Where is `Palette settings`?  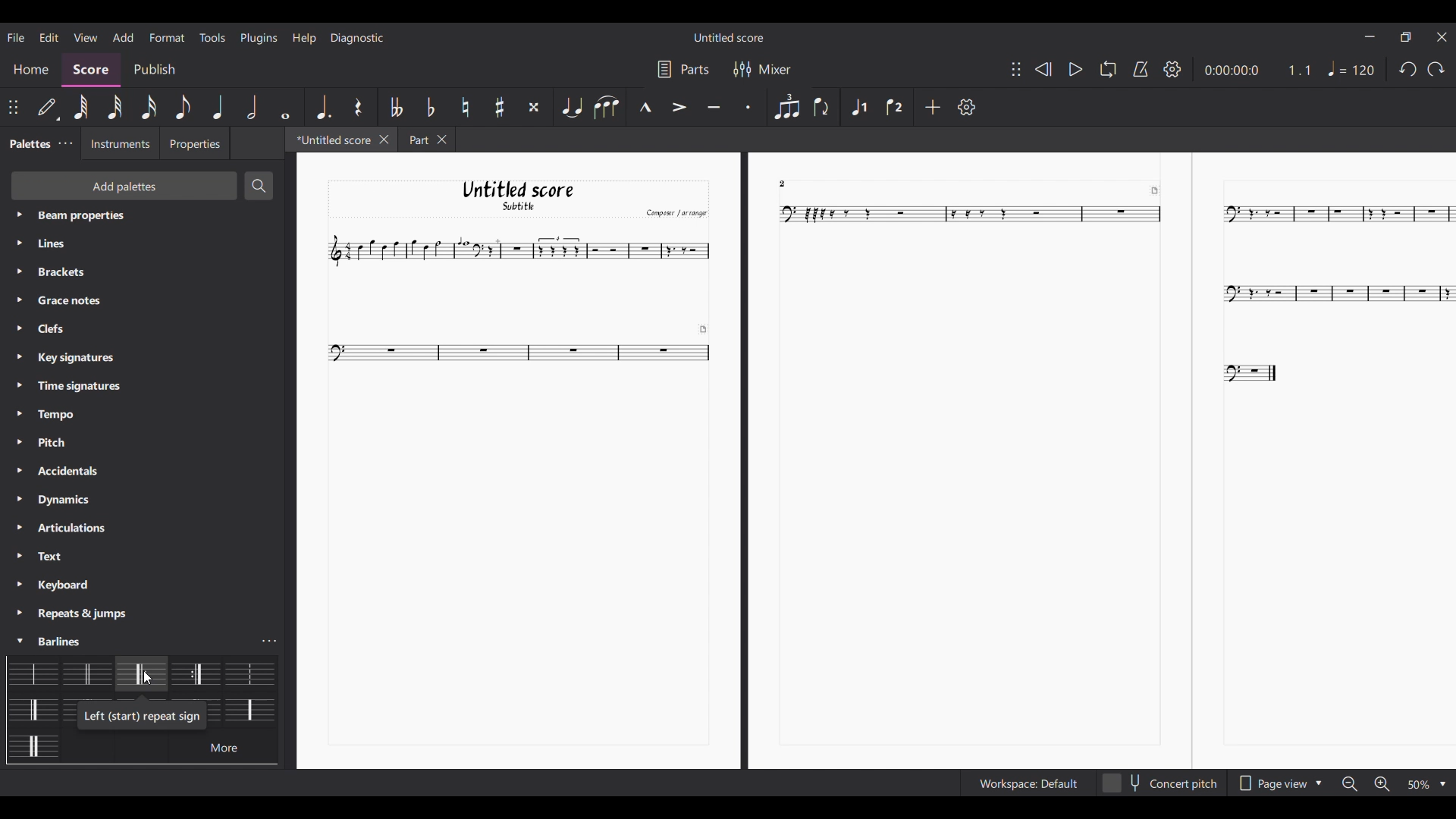 Palette settings is located at coordinates (65, 143).